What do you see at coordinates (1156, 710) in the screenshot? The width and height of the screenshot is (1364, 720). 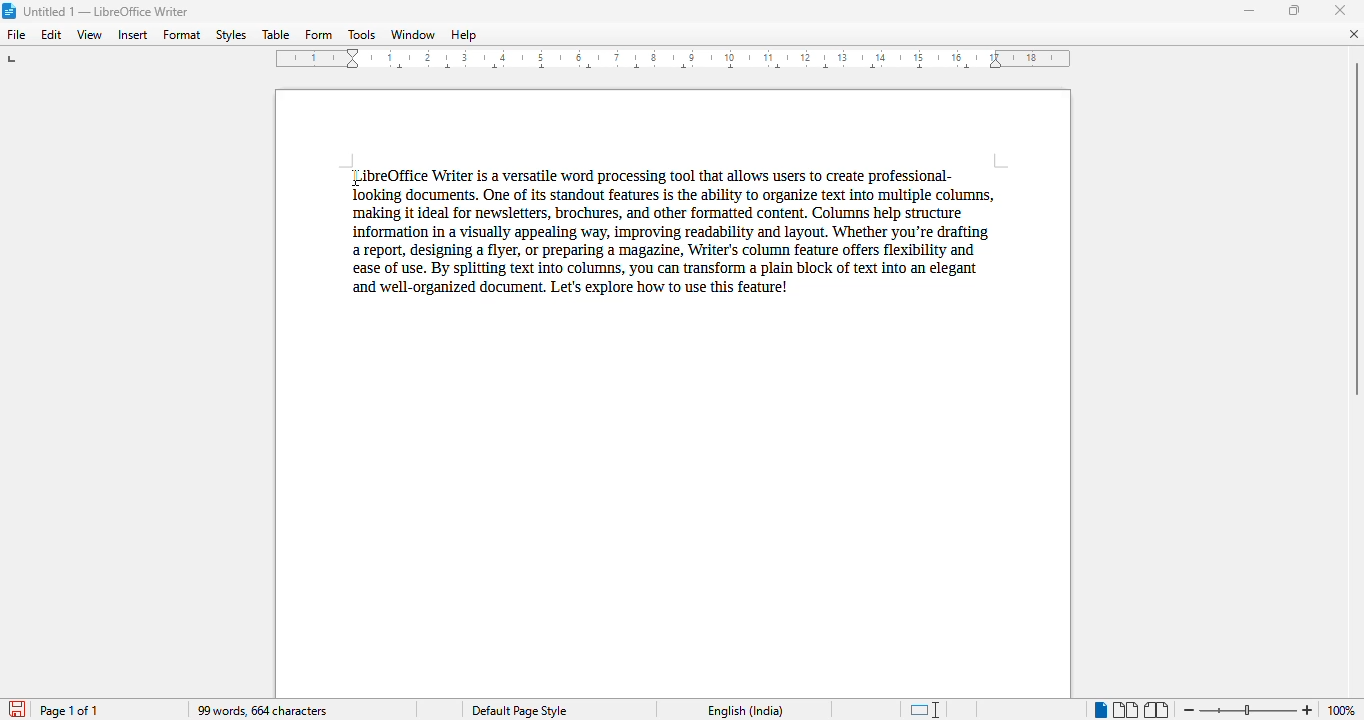 I see `book view` at bounding box center [1156, 710].